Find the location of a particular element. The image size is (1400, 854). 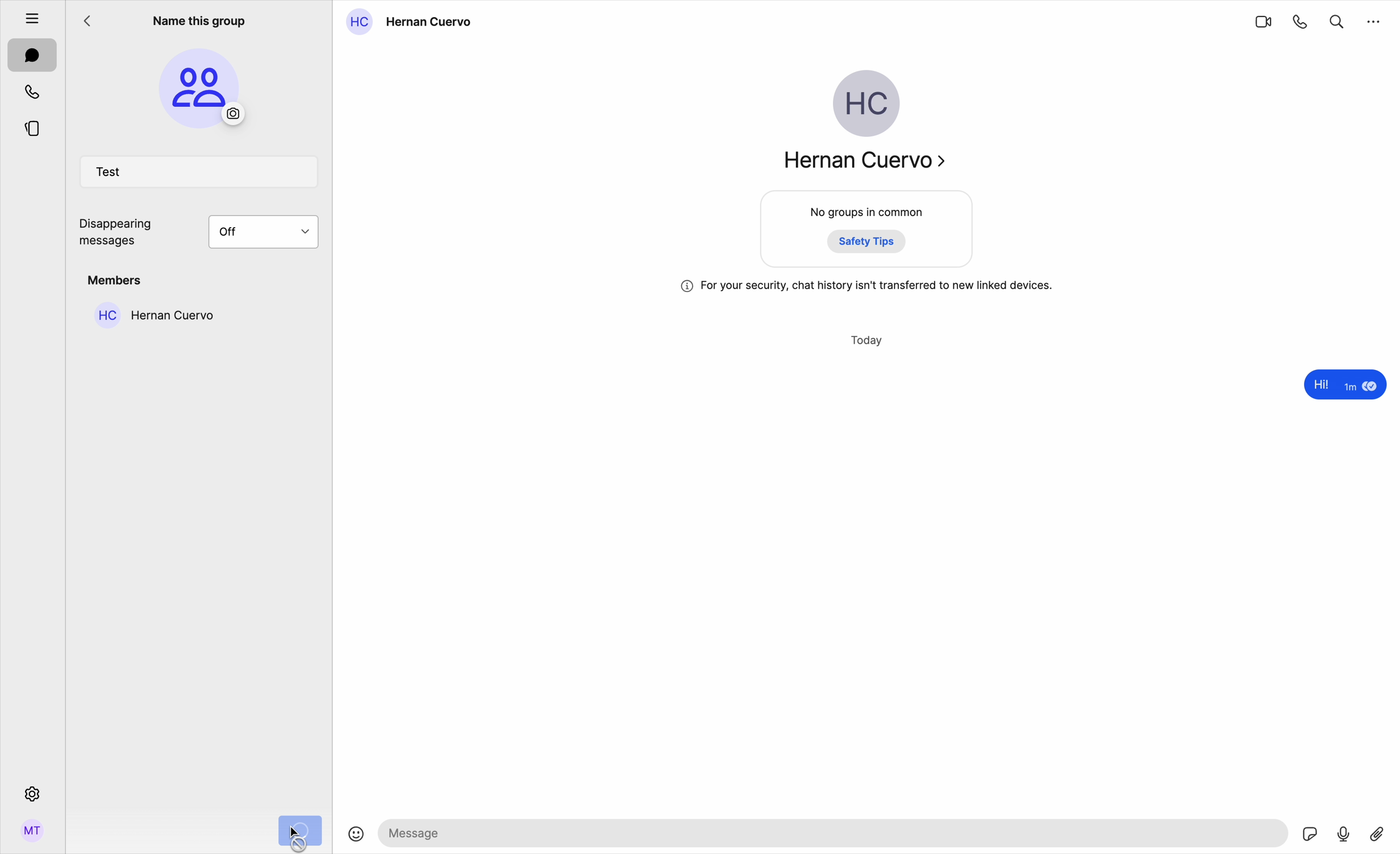

profile is located at coordinates (32, 835).